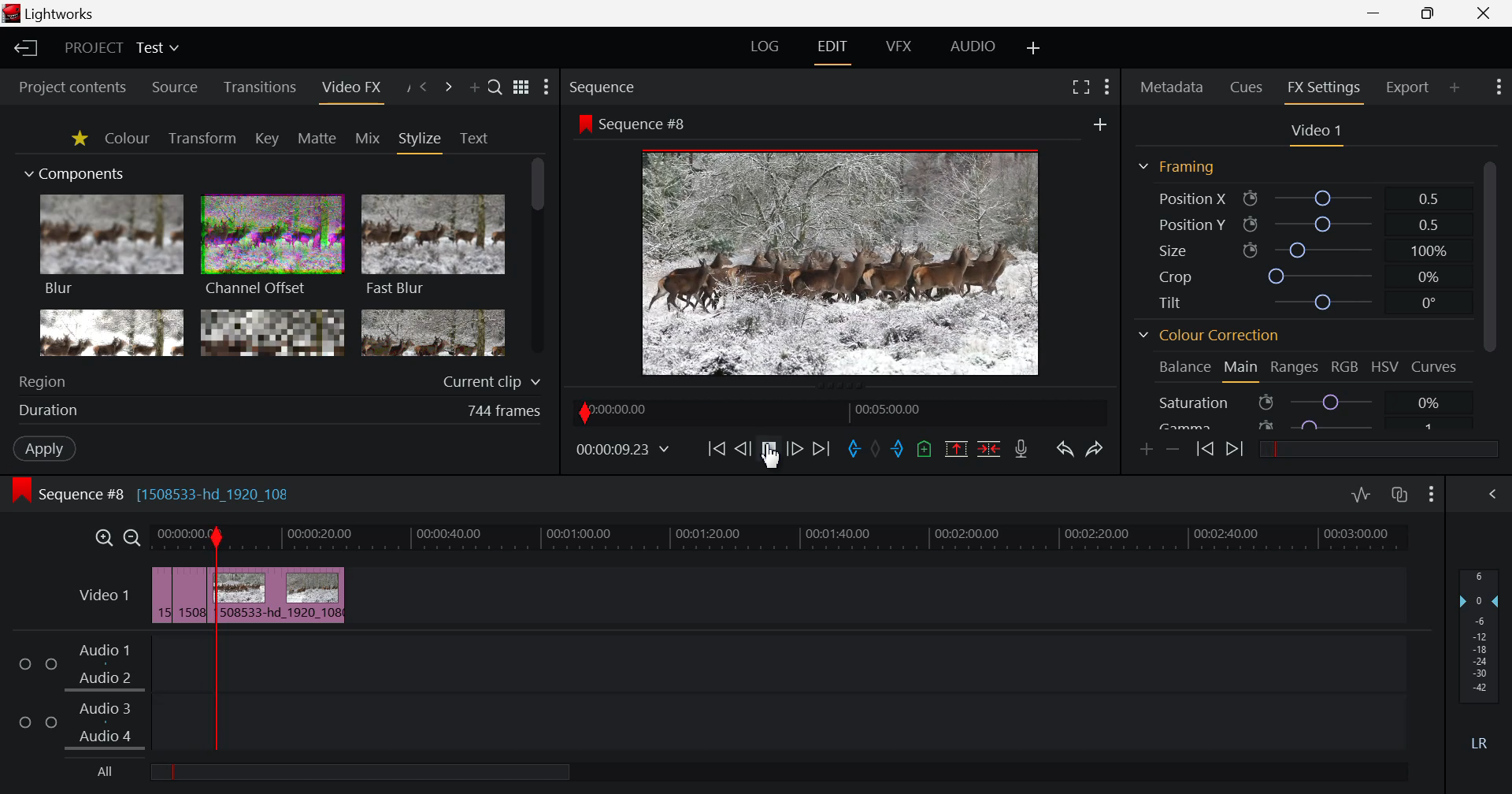 This screenshot has height=794, width=1512. Describe the element at coordinates (742, 447) in the screenshot. I see `Go Back` at that location.